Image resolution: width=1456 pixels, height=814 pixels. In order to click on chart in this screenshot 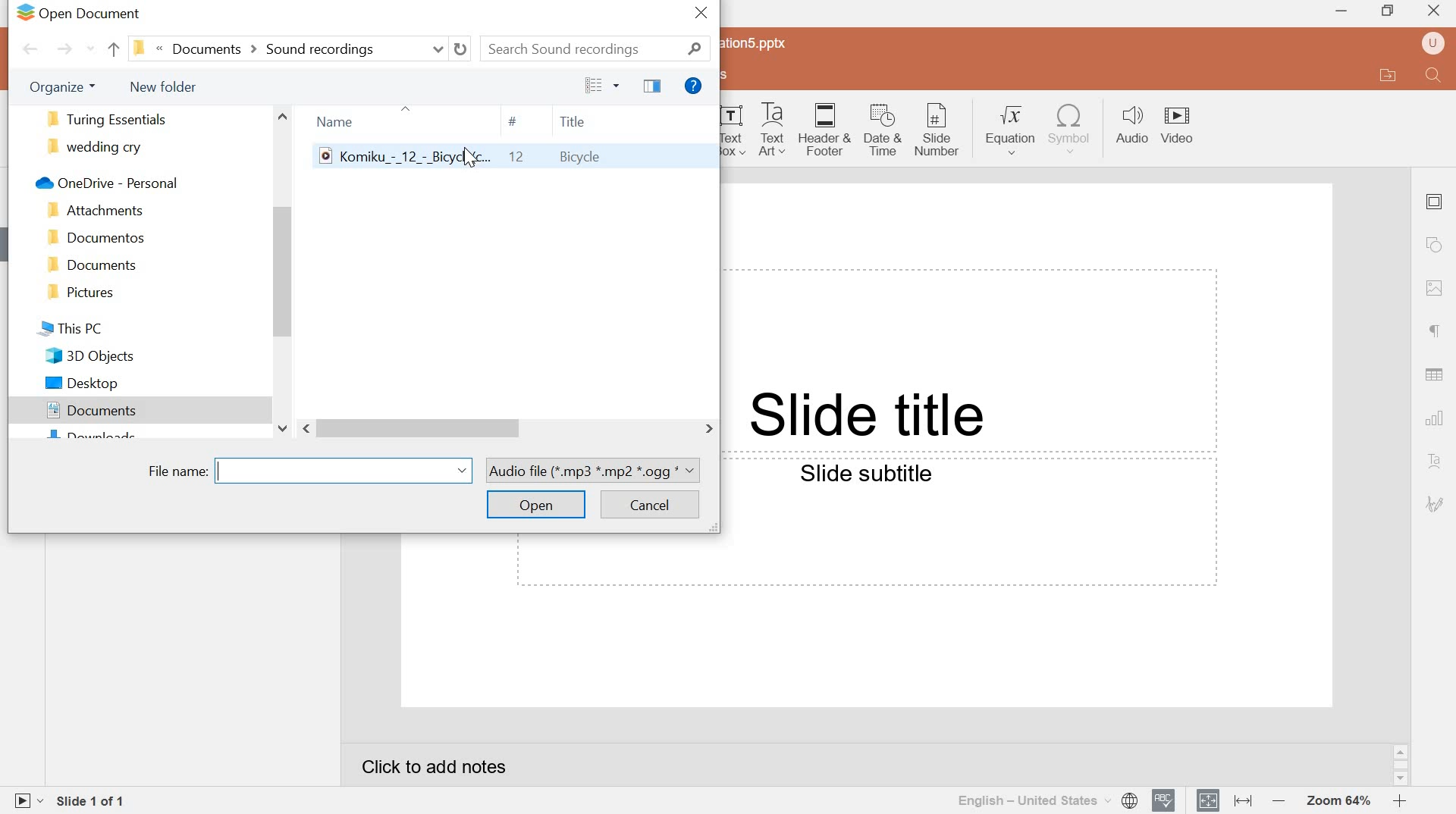, I will do `click(1436, 418)`.